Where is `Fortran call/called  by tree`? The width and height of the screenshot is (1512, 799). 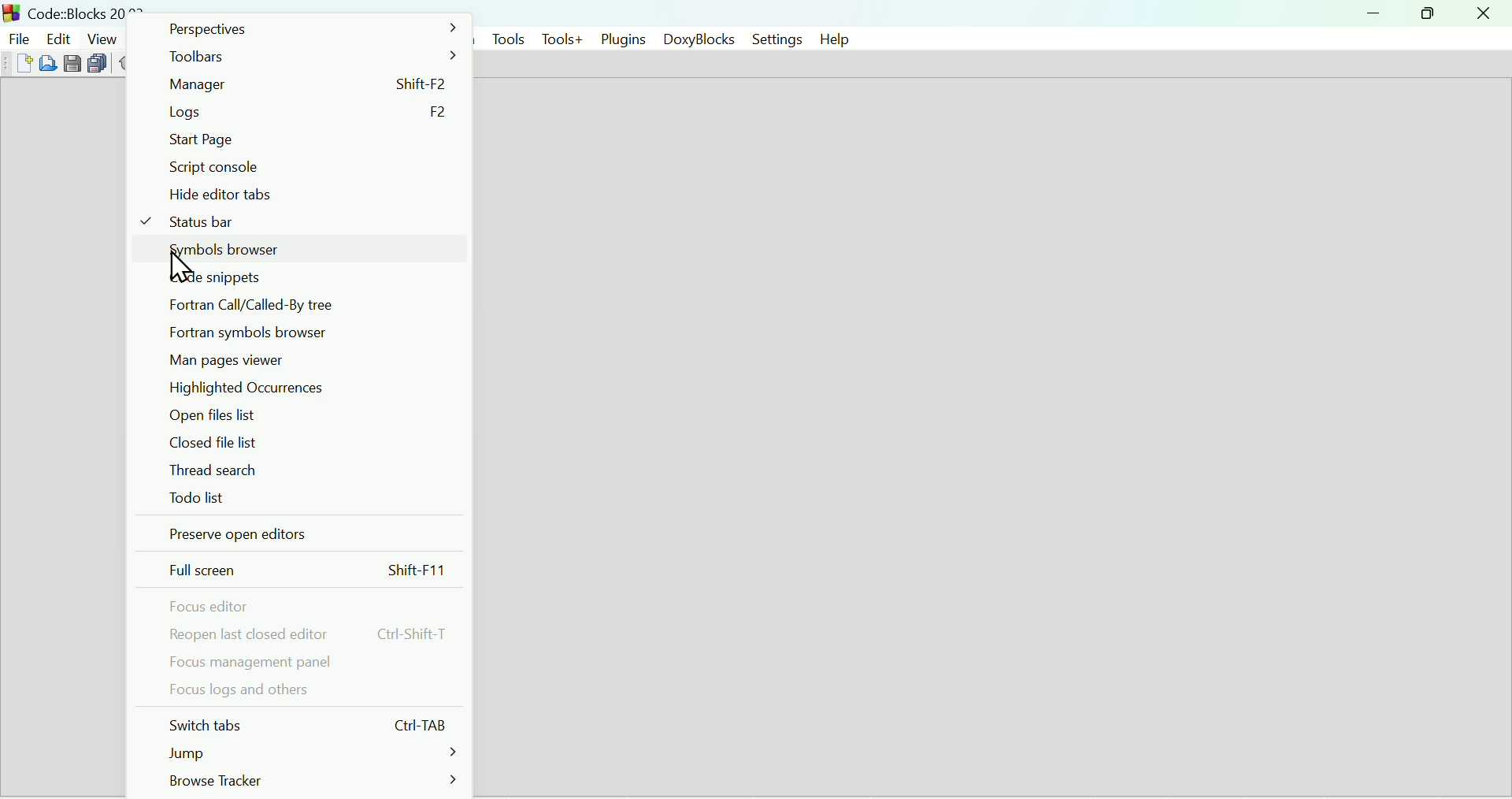
Fortran call/called  by tree is located at coordinates (306, 305).